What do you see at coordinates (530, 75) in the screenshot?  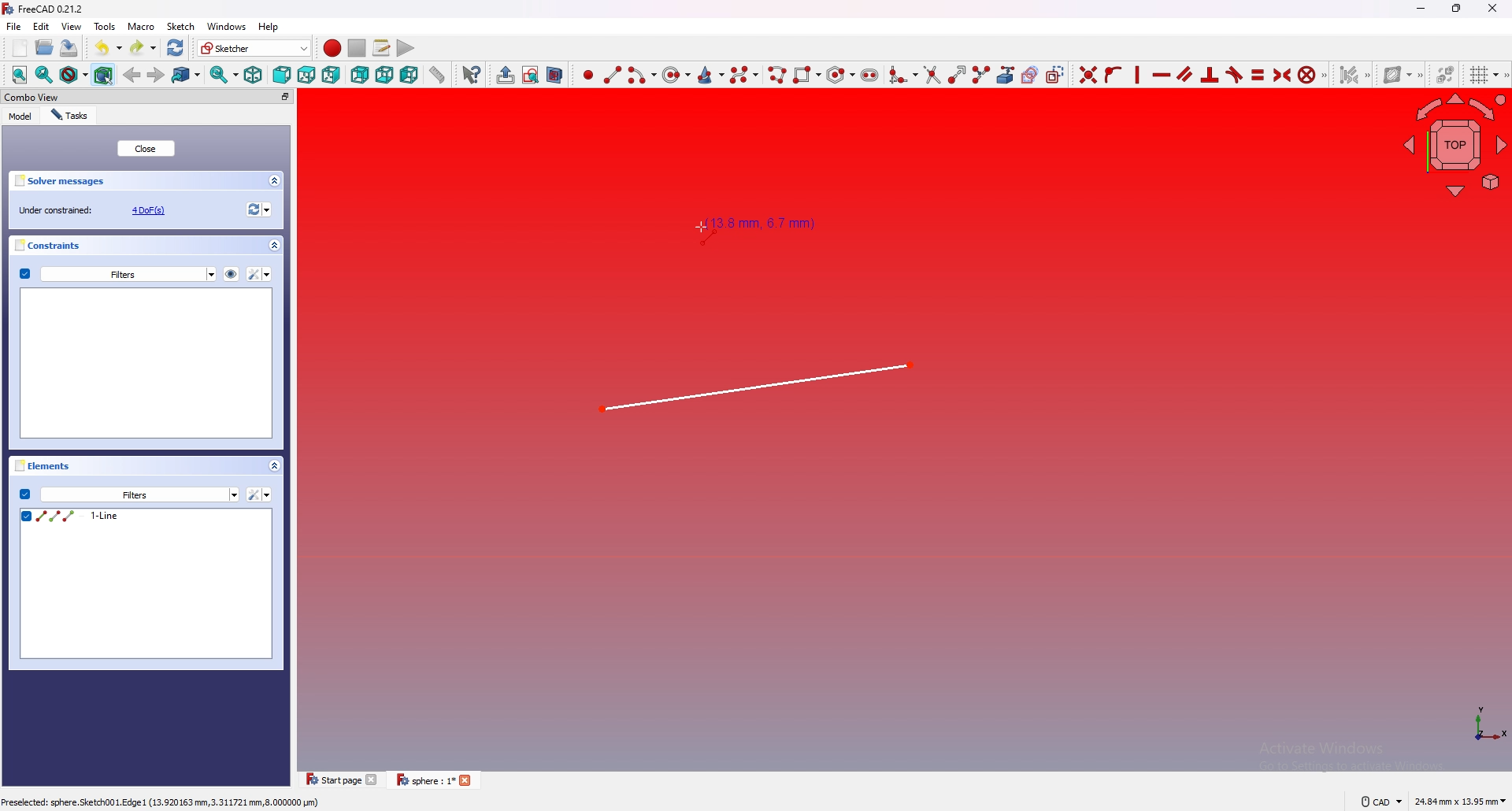 I see `View sketch` at bounding box center [530, 75].